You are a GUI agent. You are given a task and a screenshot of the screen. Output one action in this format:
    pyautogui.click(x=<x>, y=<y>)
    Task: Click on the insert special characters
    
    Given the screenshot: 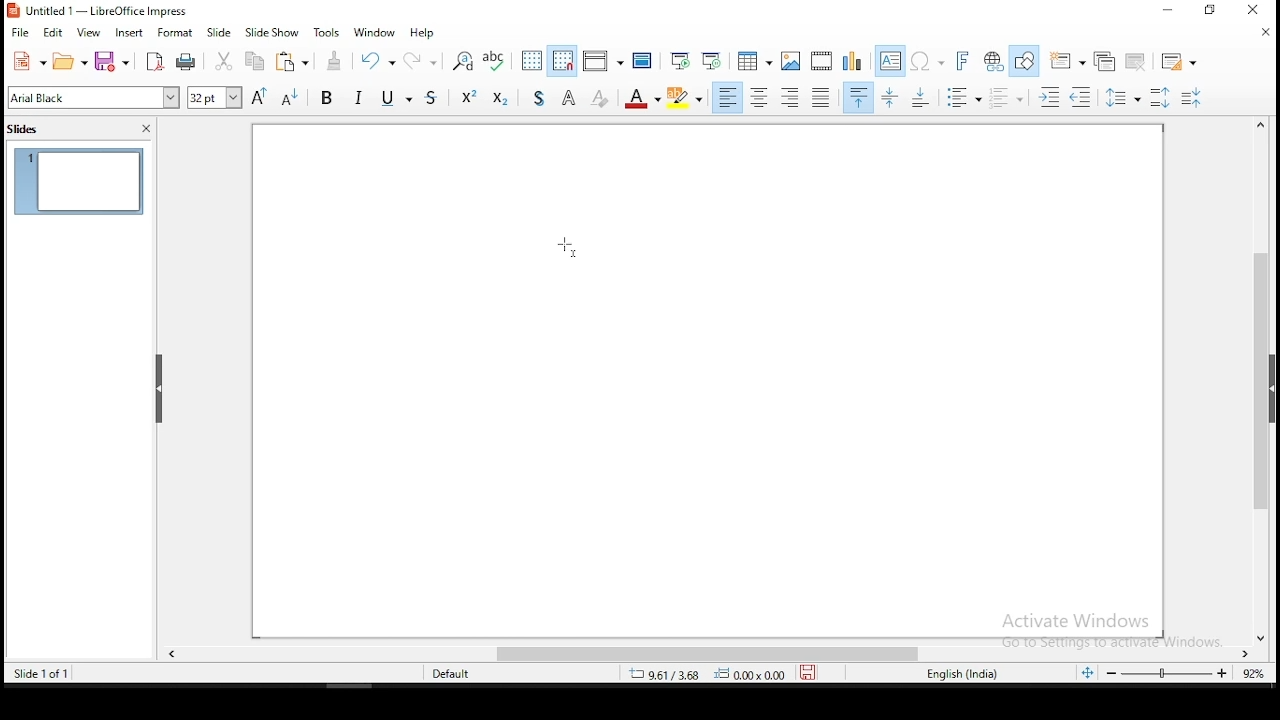 What is the action you would take?
    pyautogui.click(x=927, y=61)
    